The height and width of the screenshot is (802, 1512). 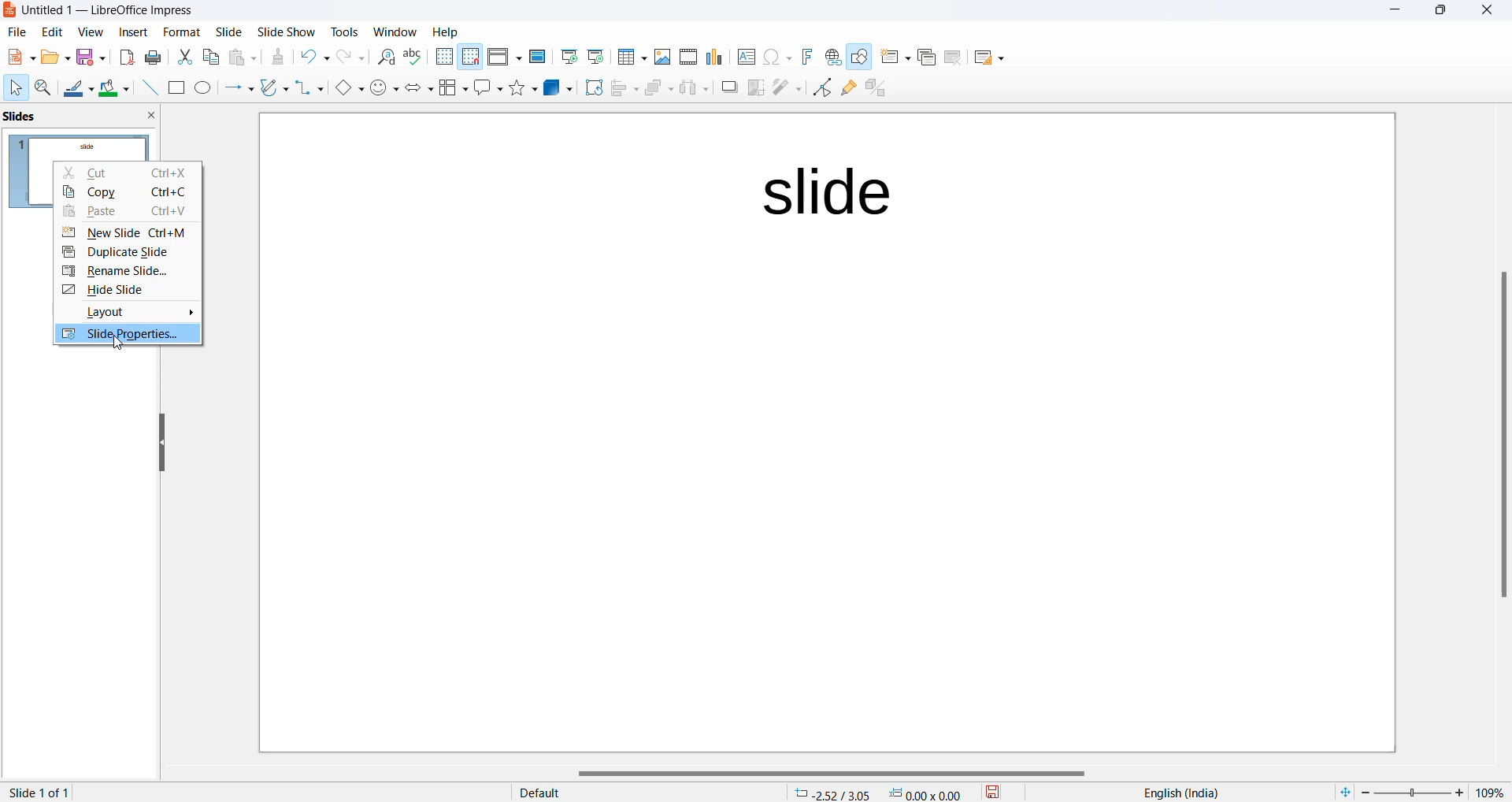 What do you see at coordinates (148, 88) in the screenshot?
I see `line input elements` at bounding box center [148, 88].